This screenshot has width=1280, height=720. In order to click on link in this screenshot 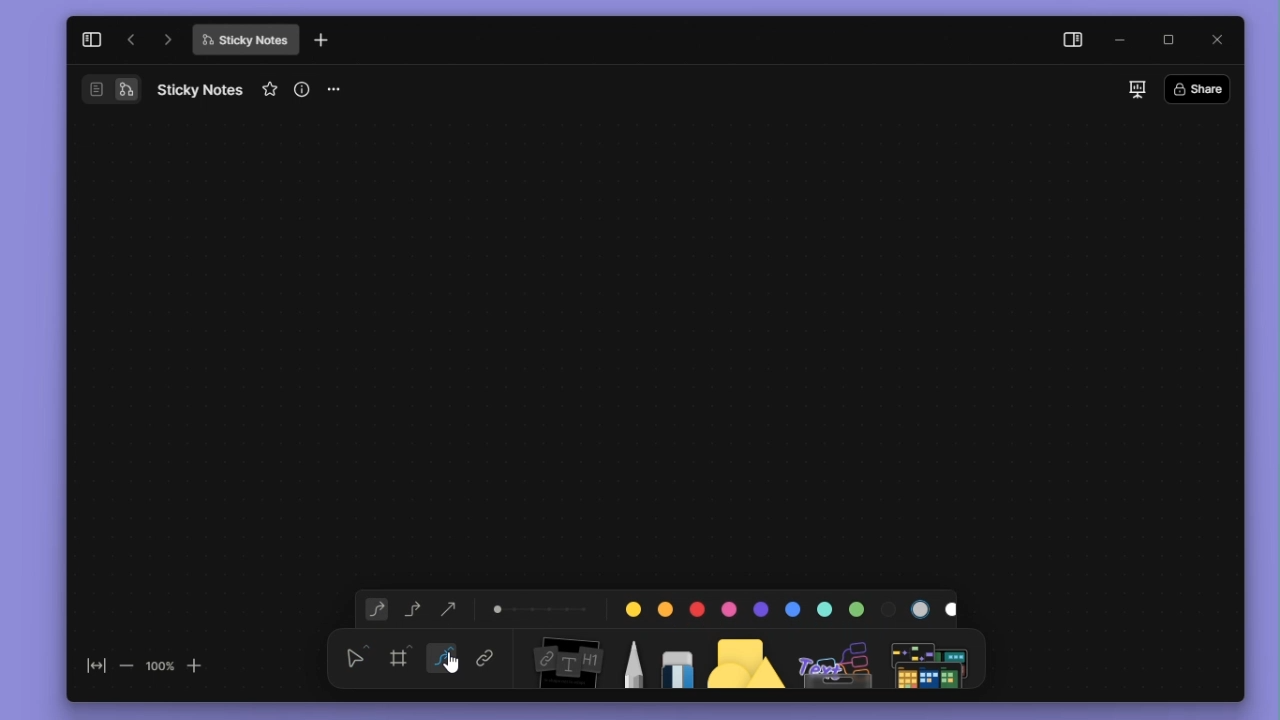, I will do `click(485, 660)`.